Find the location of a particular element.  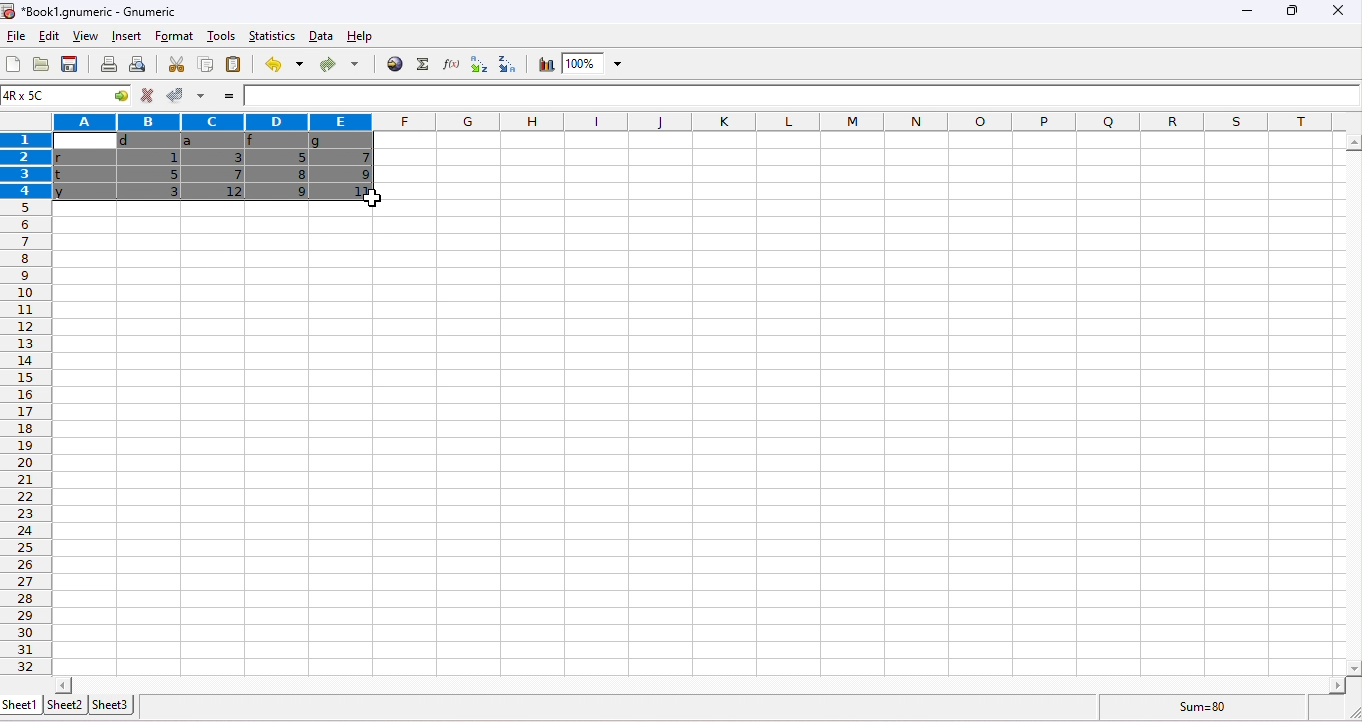

select function is located at coordinates (421, 64).